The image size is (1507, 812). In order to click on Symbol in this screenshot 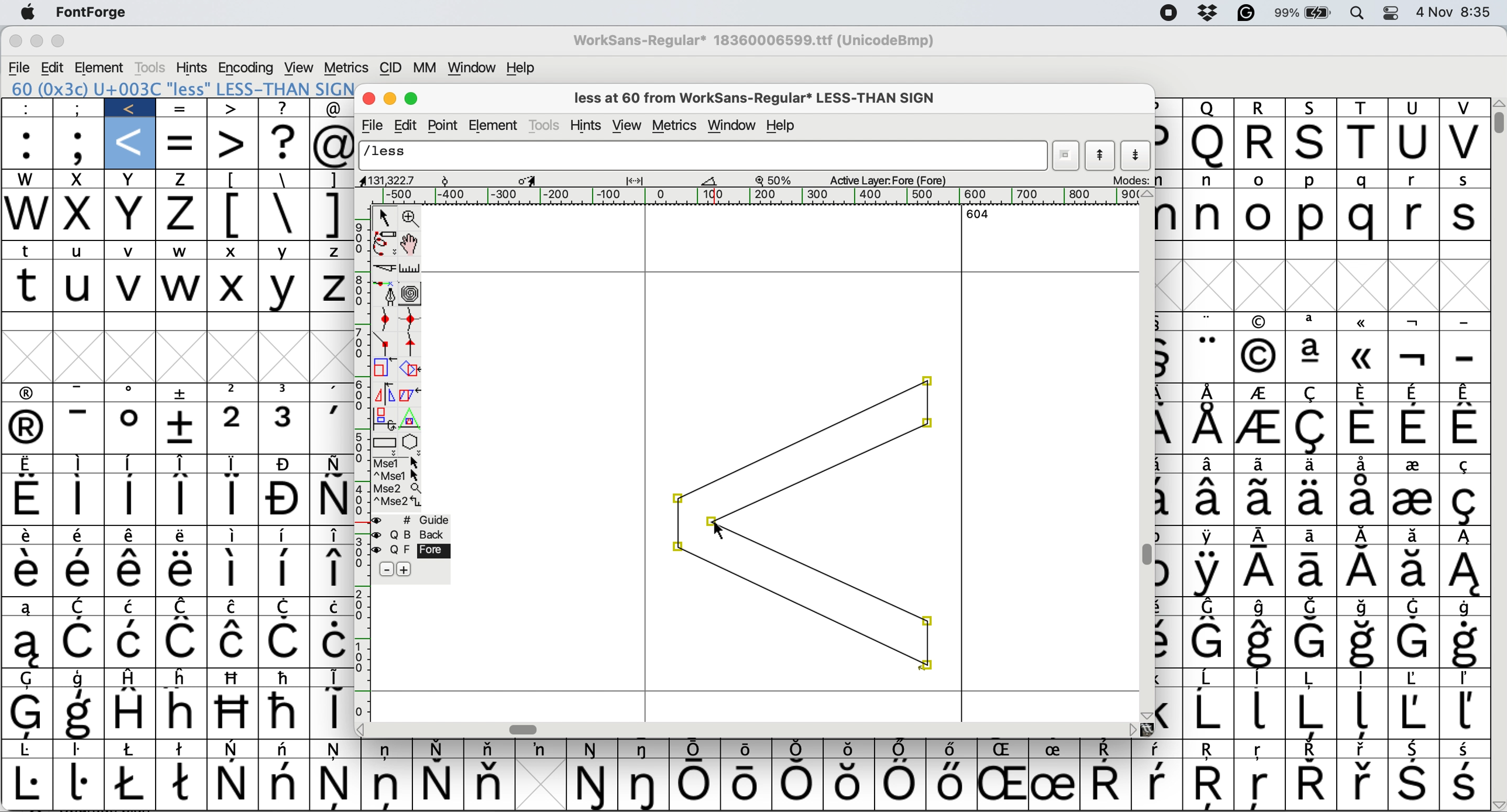, I will do `click(1209, 427)`.